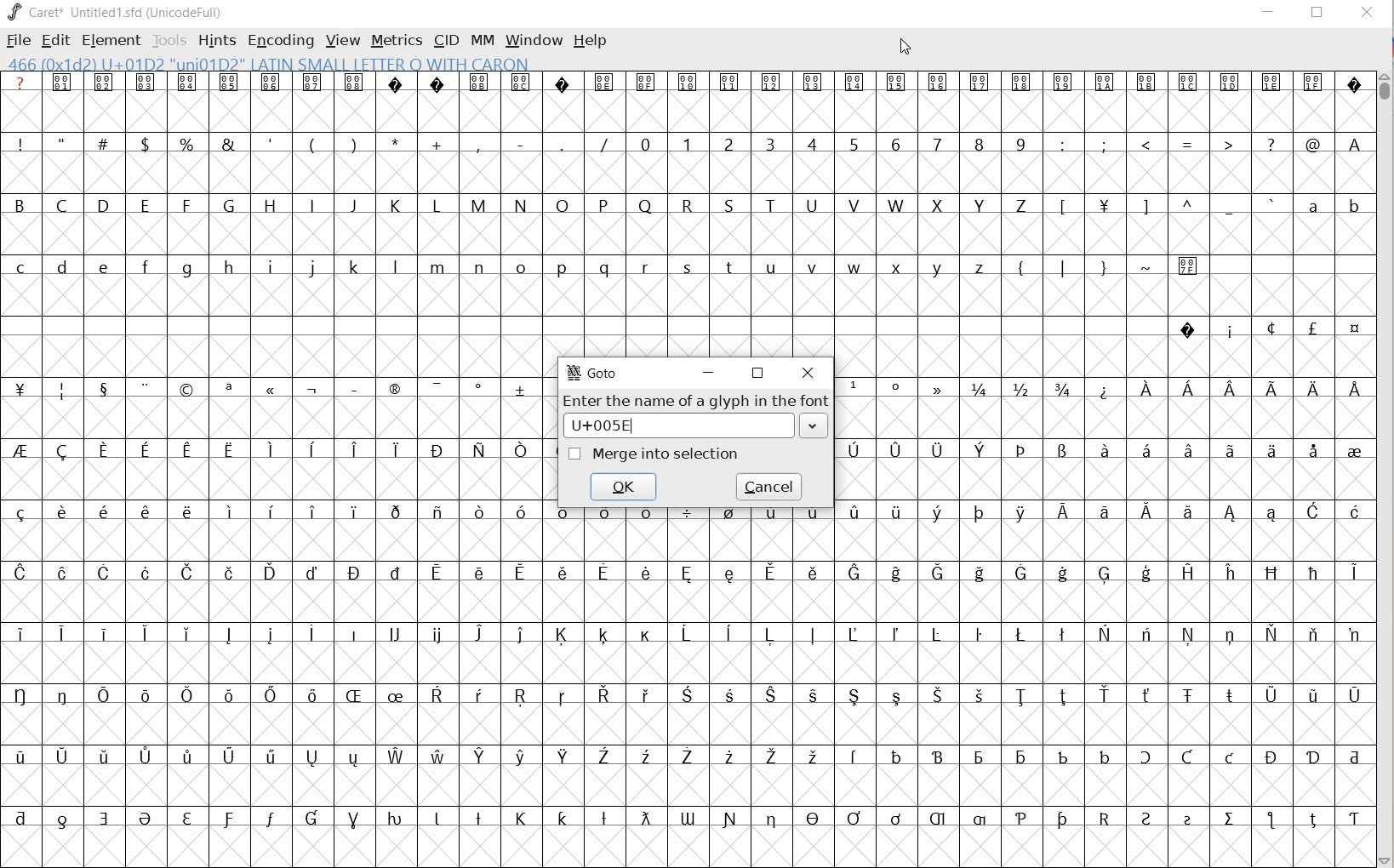 The width and height of the screenshot is (1394, 868). What do you see at coordinates (1365, 14) in the screenshot?
I see `CLOSE` at bounding box center [1365, 14].